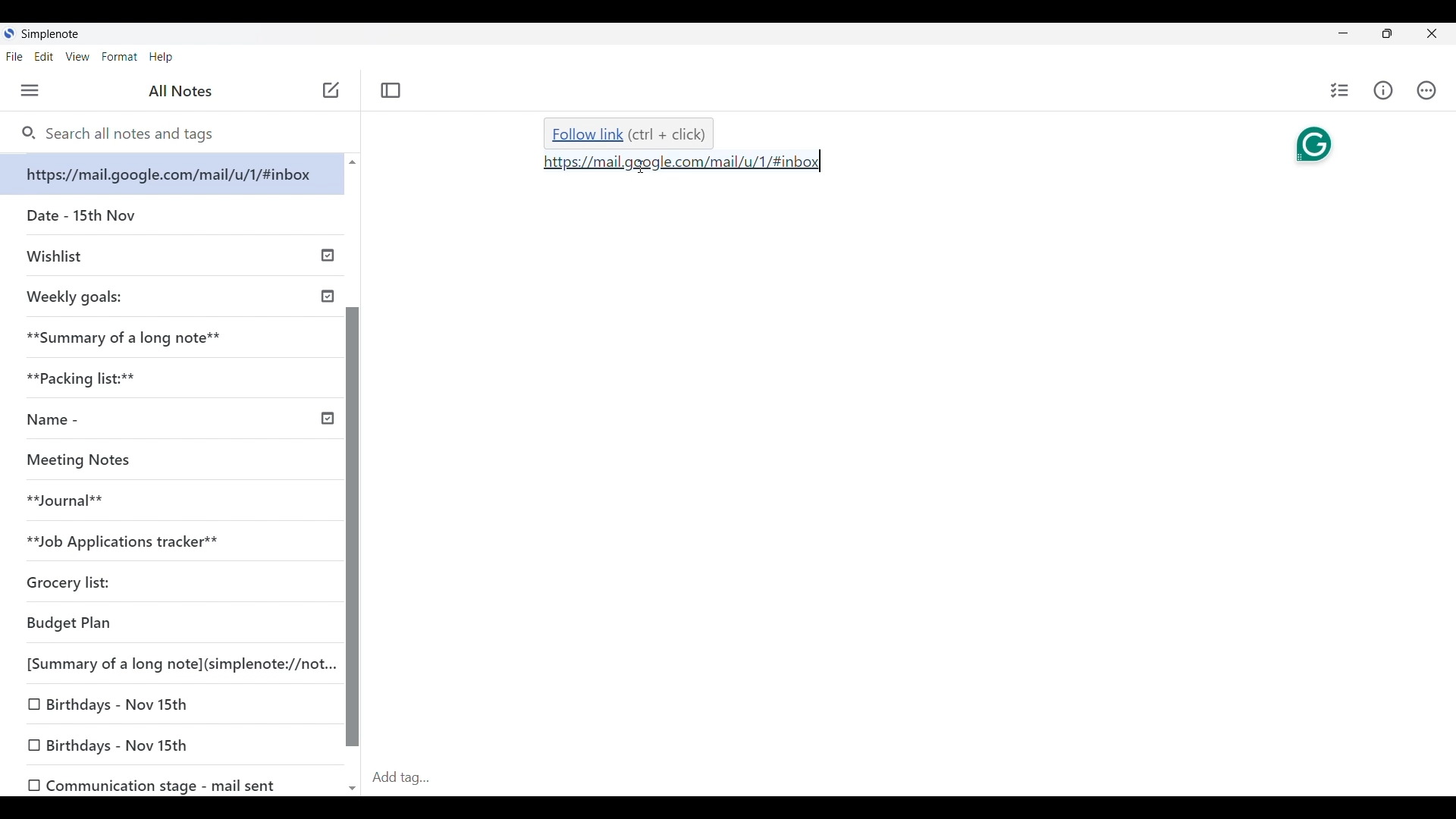 Image resolution: width=1456 pixels, height=819 pixels. Describe the element at coordinates (353, 162) in the screenshot. I see `Quick slide to top` at that location.